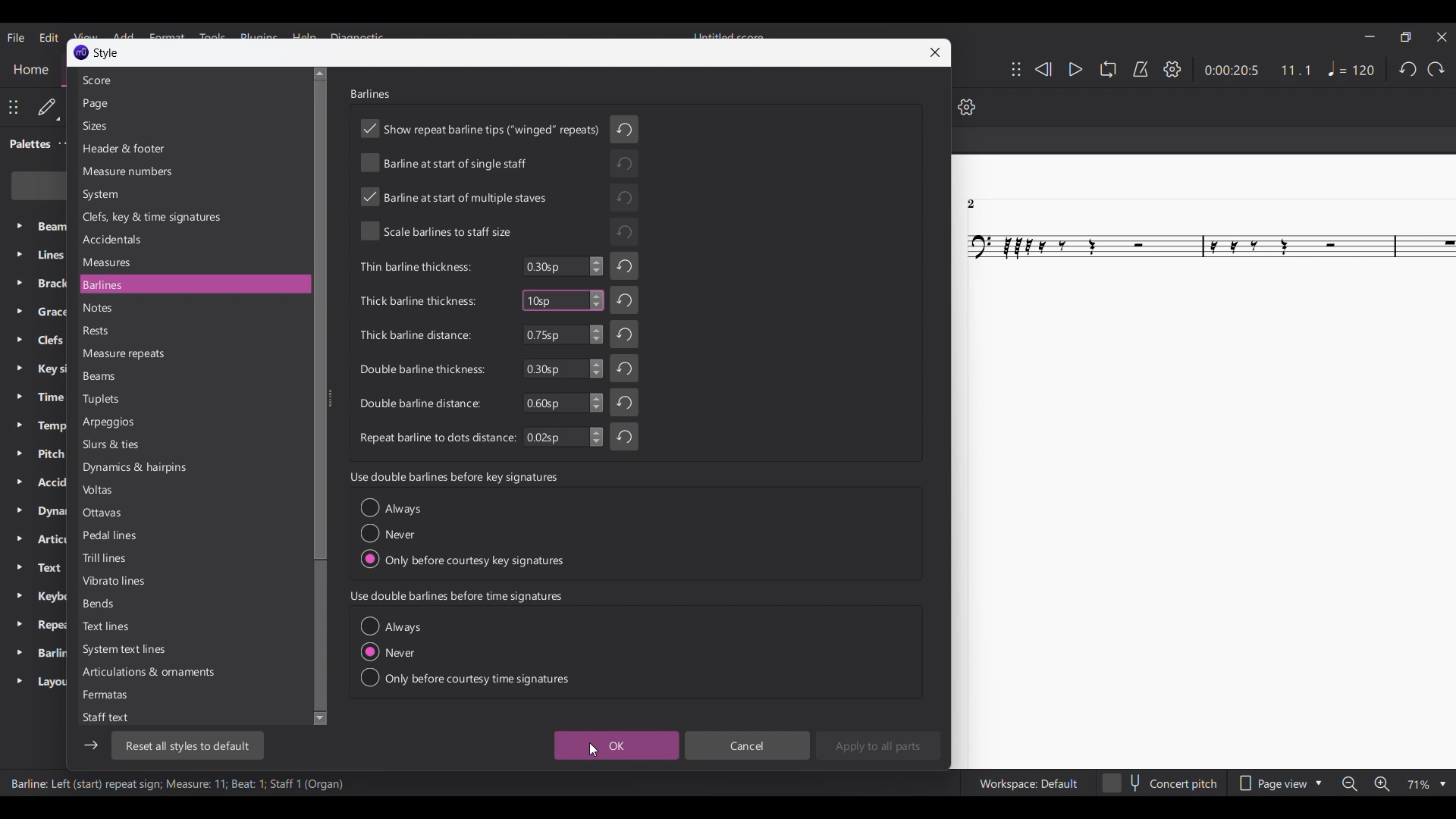 The height and width of the screenshot is (819, 1456). I want to click on Palette settings, so click(66, 143).